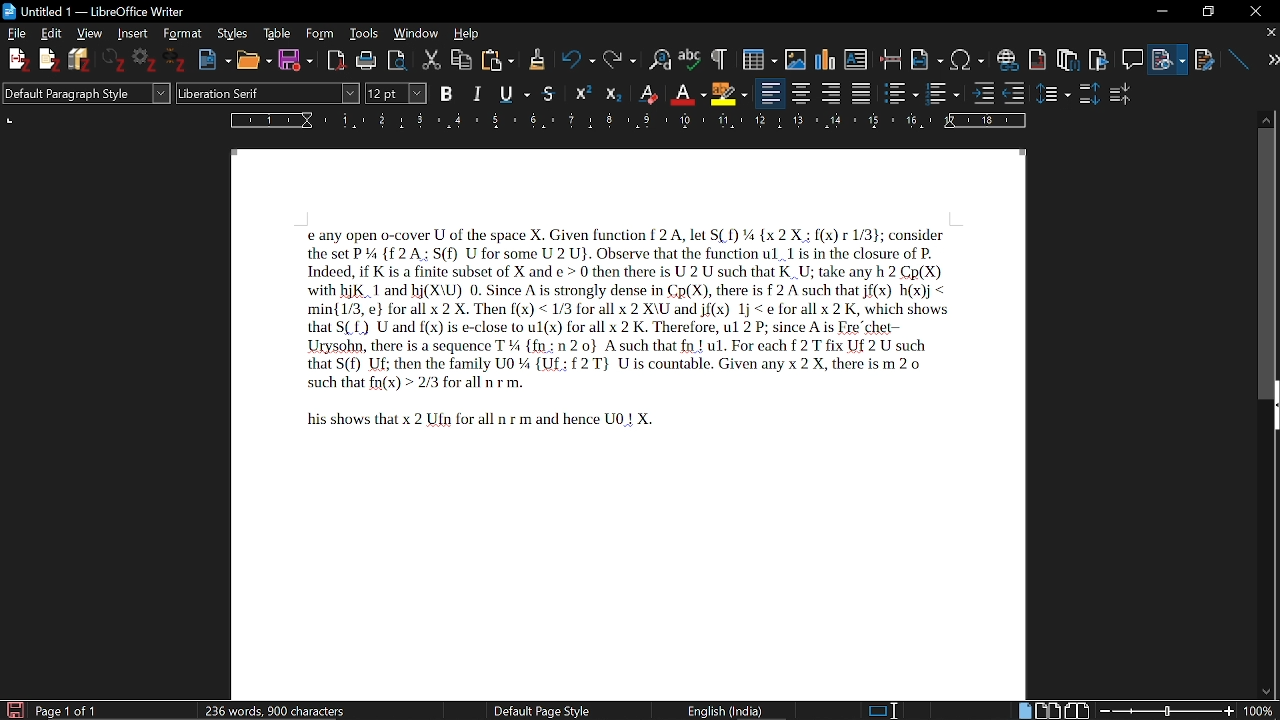  What do you see at coordinates (901, 93) in the screenshot?
I see `toggled unordered list` at bounding box center [901, 93].